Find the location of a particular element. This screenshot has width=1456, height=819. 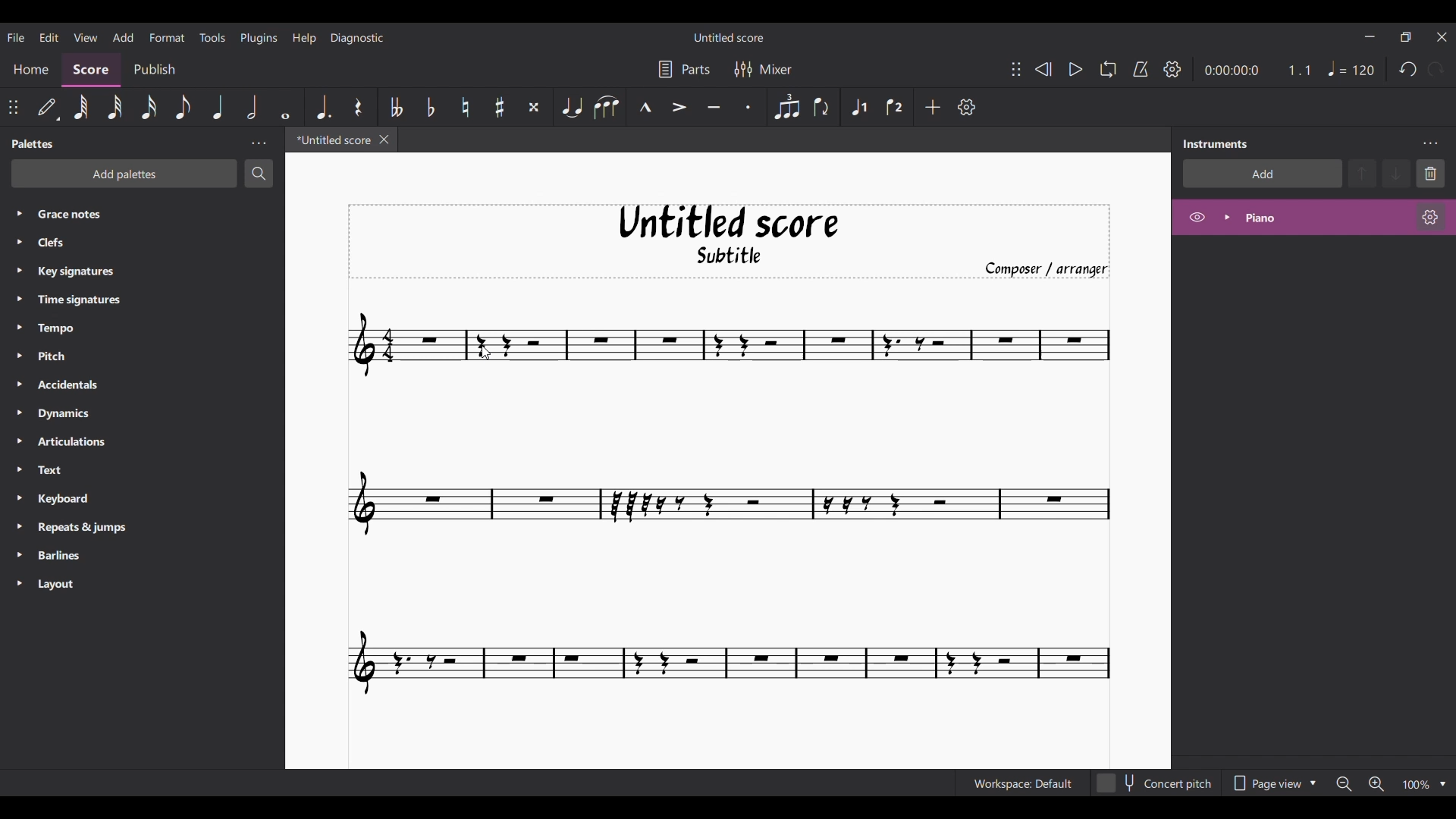

Zoom out is located at coordinates (1343, 784).